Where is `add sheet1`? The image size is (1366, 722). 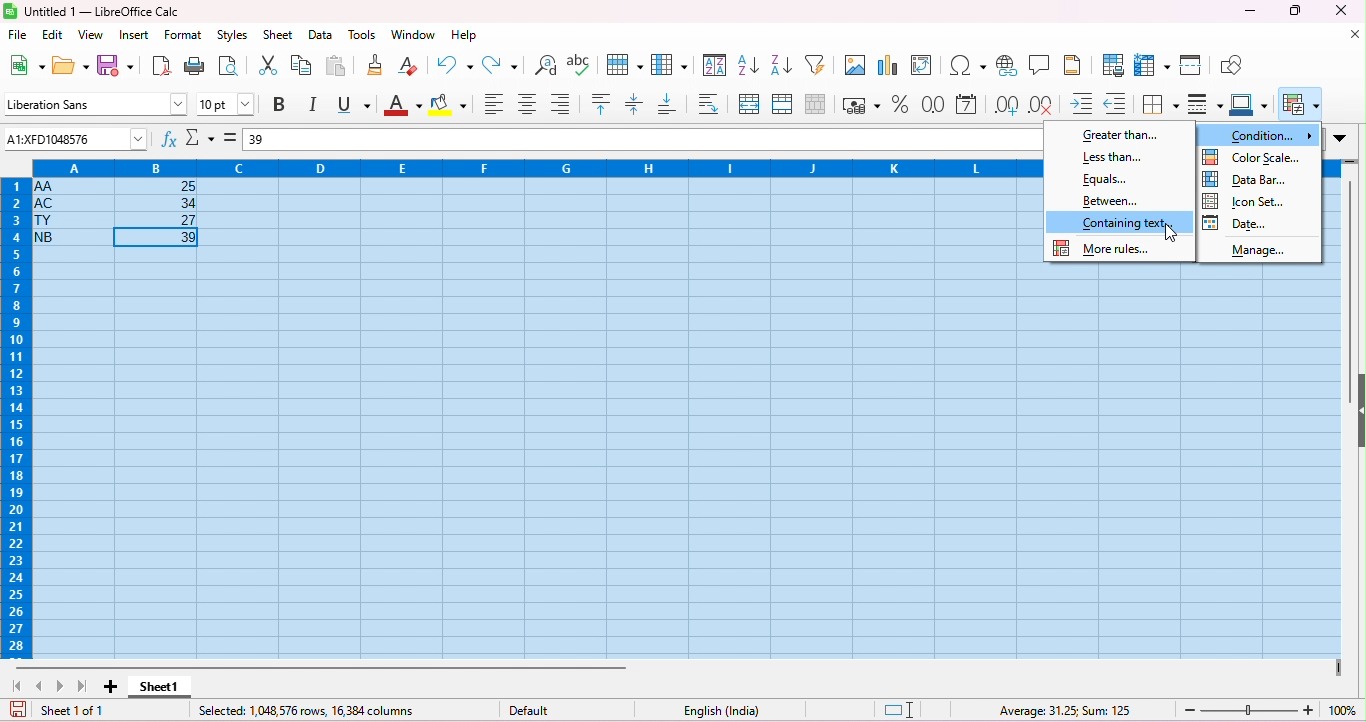
add sheet1 is located at coordinates (108, 686).